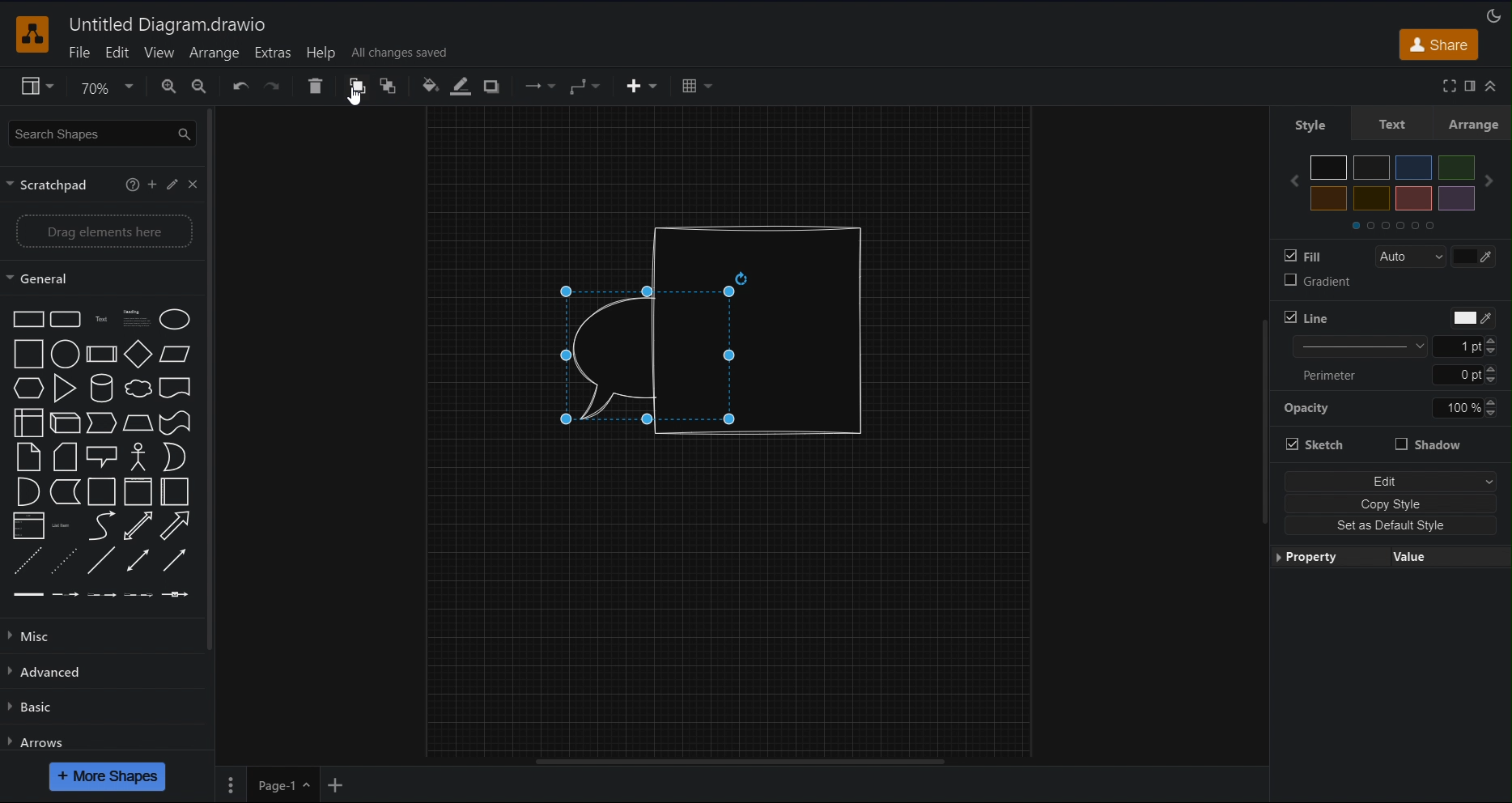  Describe the element at coordinates (1412, 257) in the screenshot. I see `Auto` at that location.